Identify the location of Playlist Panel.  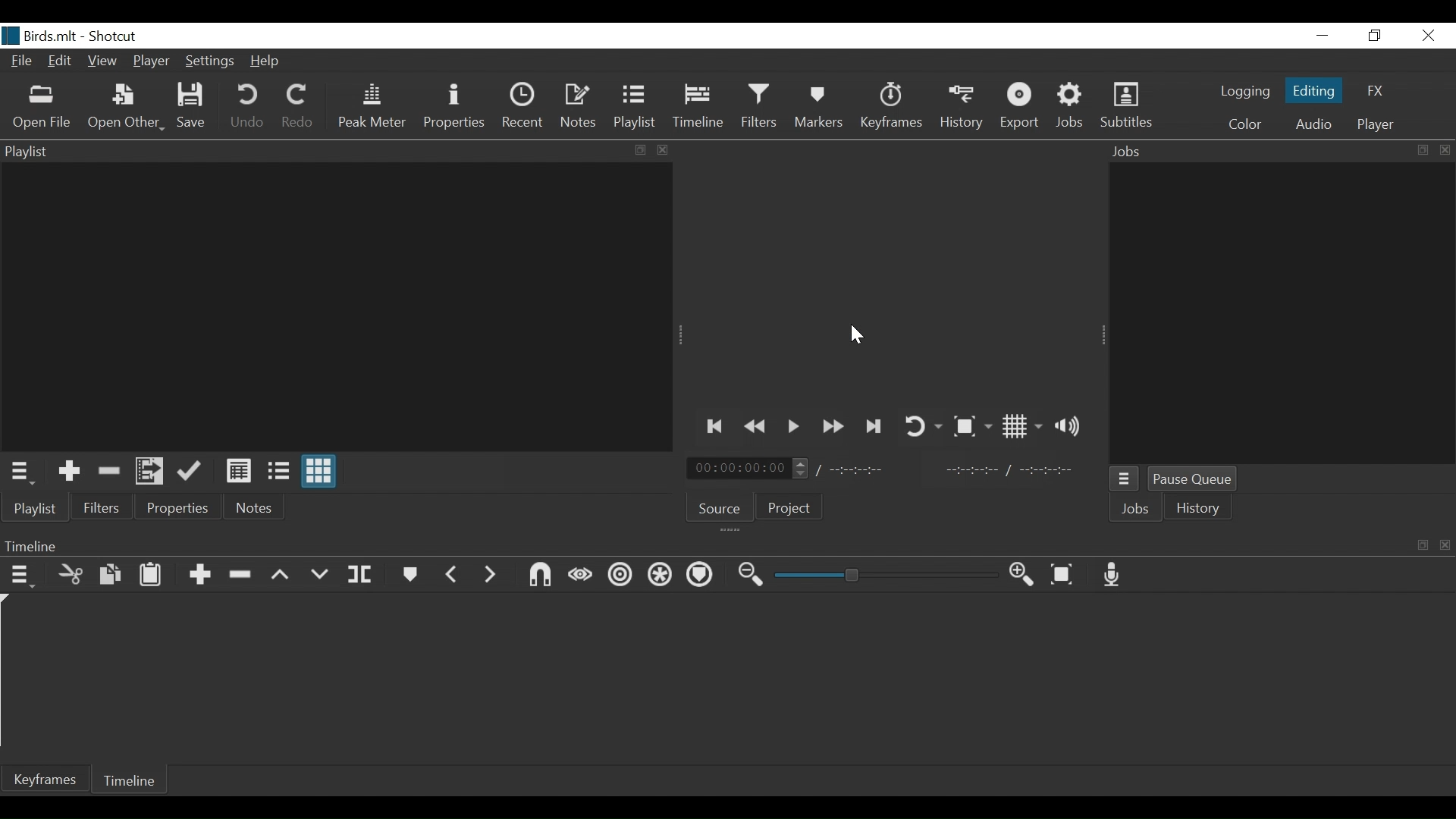
(337, 150).